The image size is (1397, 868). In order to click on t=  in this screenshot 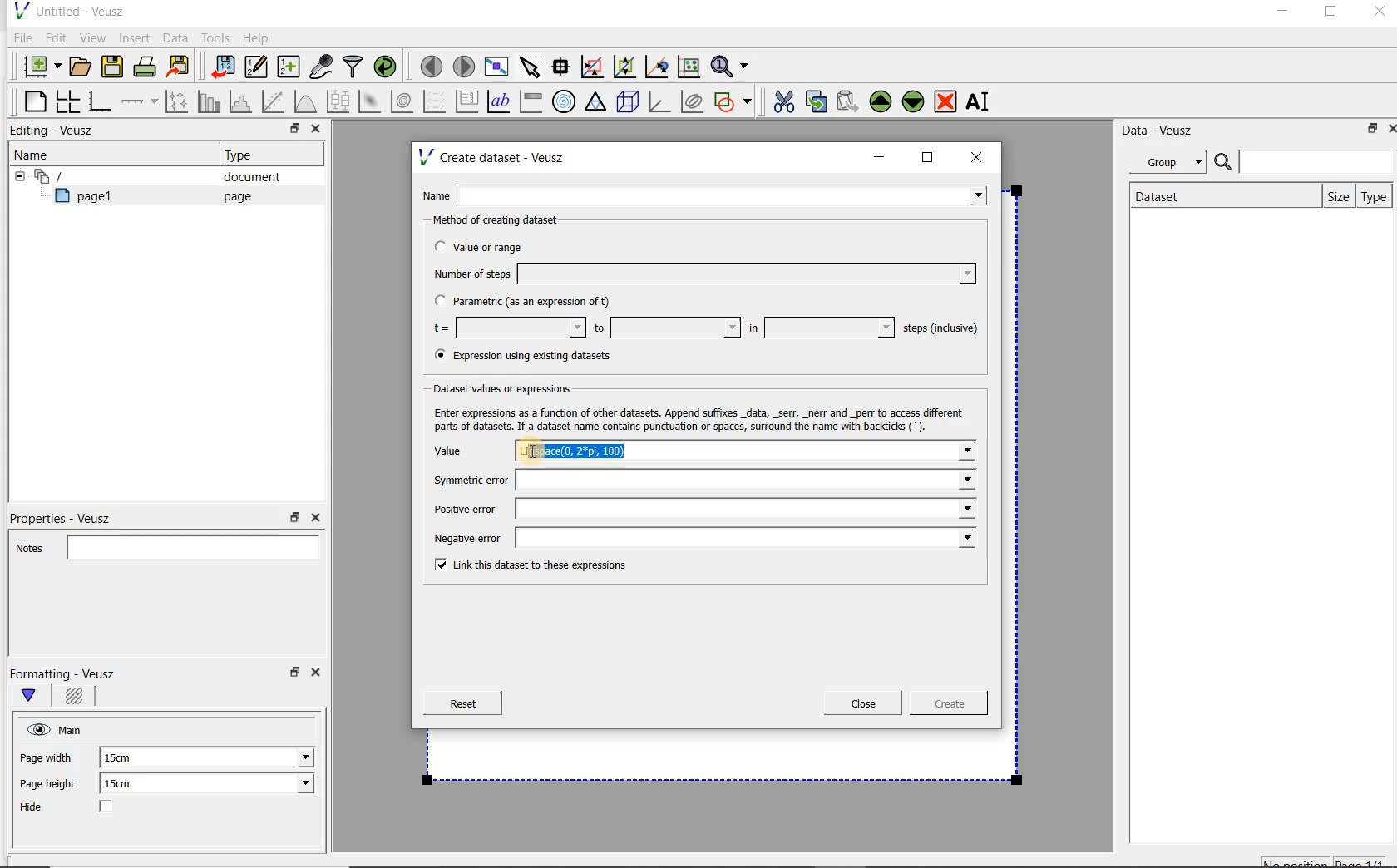, I will do `click(506, 328)`.